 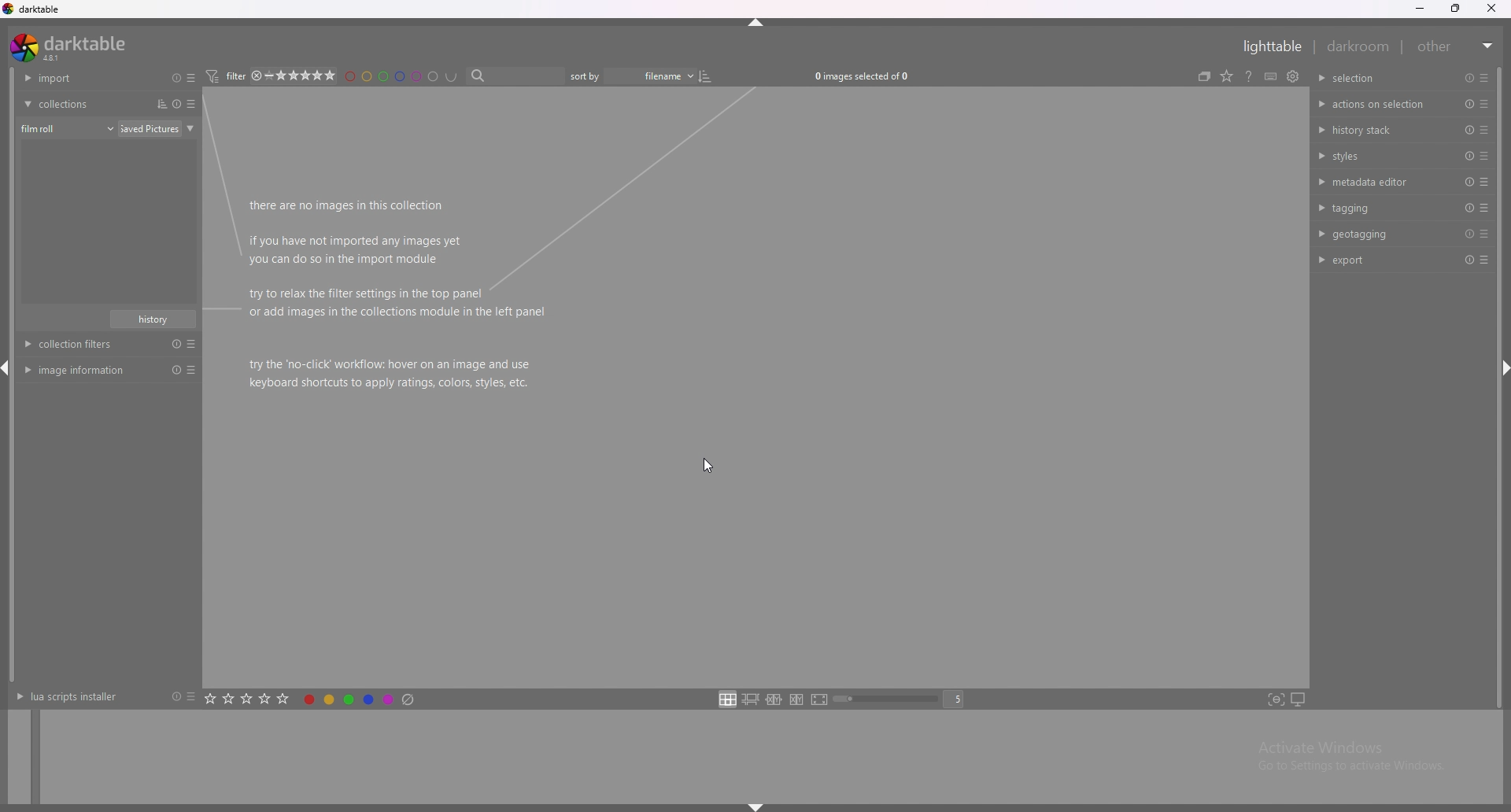 What do you see at coordinates (392, 304) in the screenshot?
I see `try to relax the filter settings in the top parcel or add iamges is the collection module in the left parcel.` at bounding box center [392, 304].